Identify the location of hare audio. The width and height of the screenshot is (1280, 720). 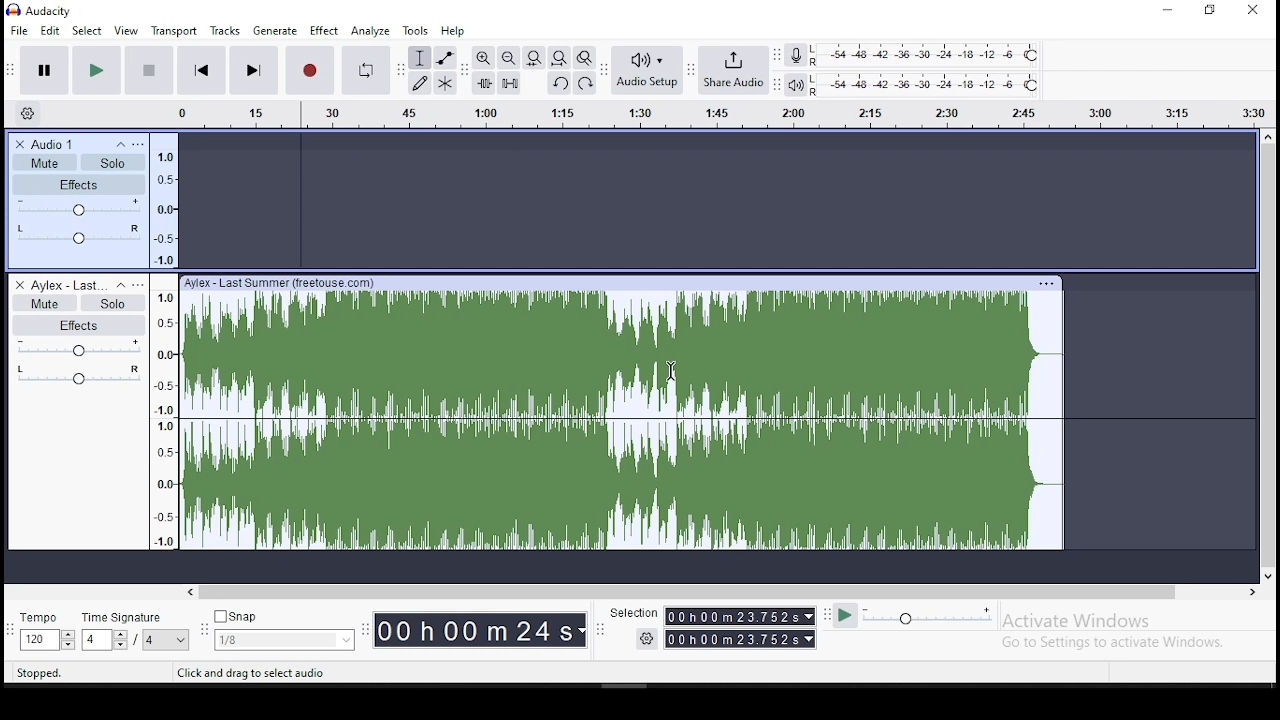
(735, 71).